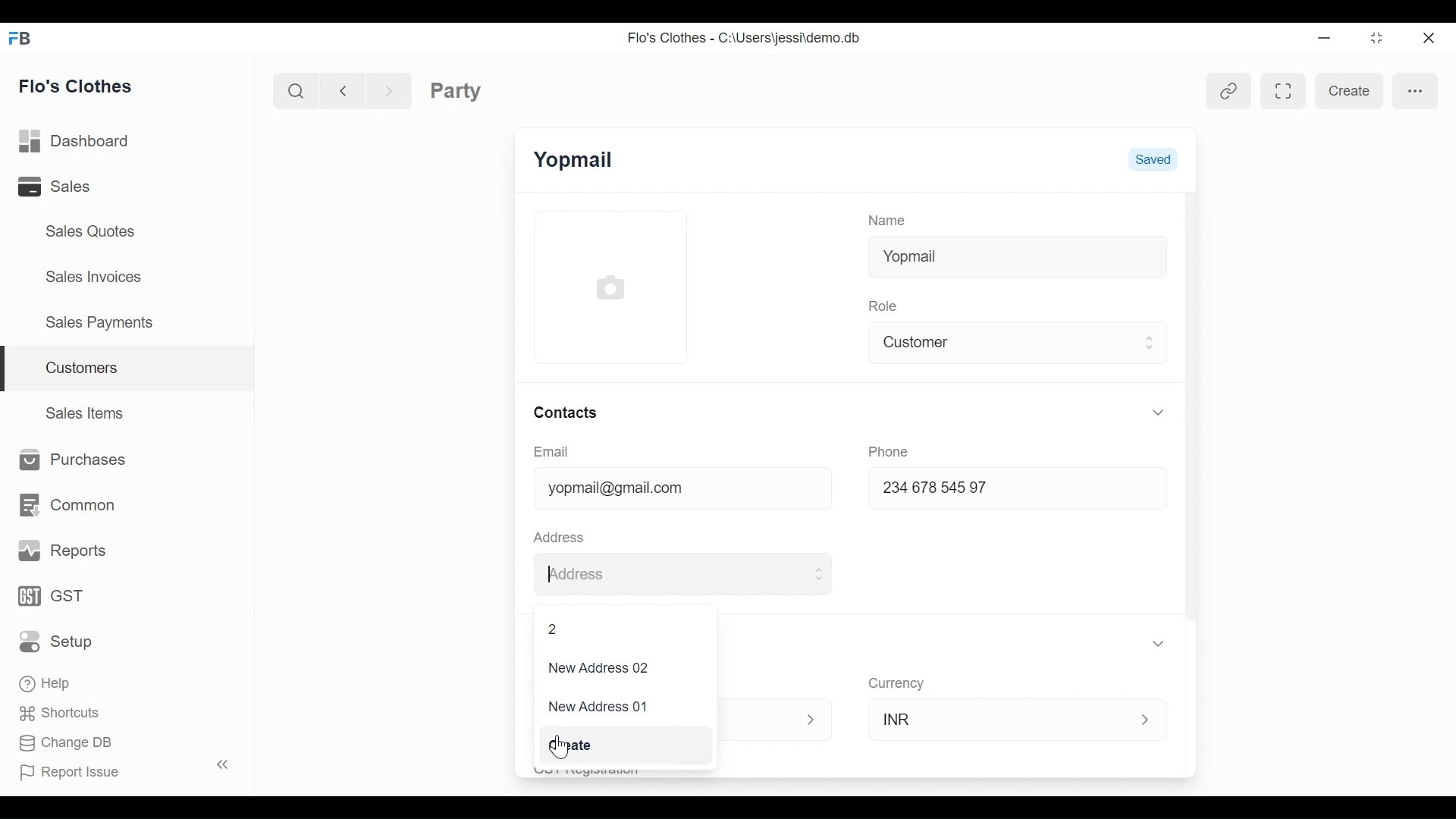  Describe the element at coordinates (669, 572) in the screenshot. I see `Address` at that location.